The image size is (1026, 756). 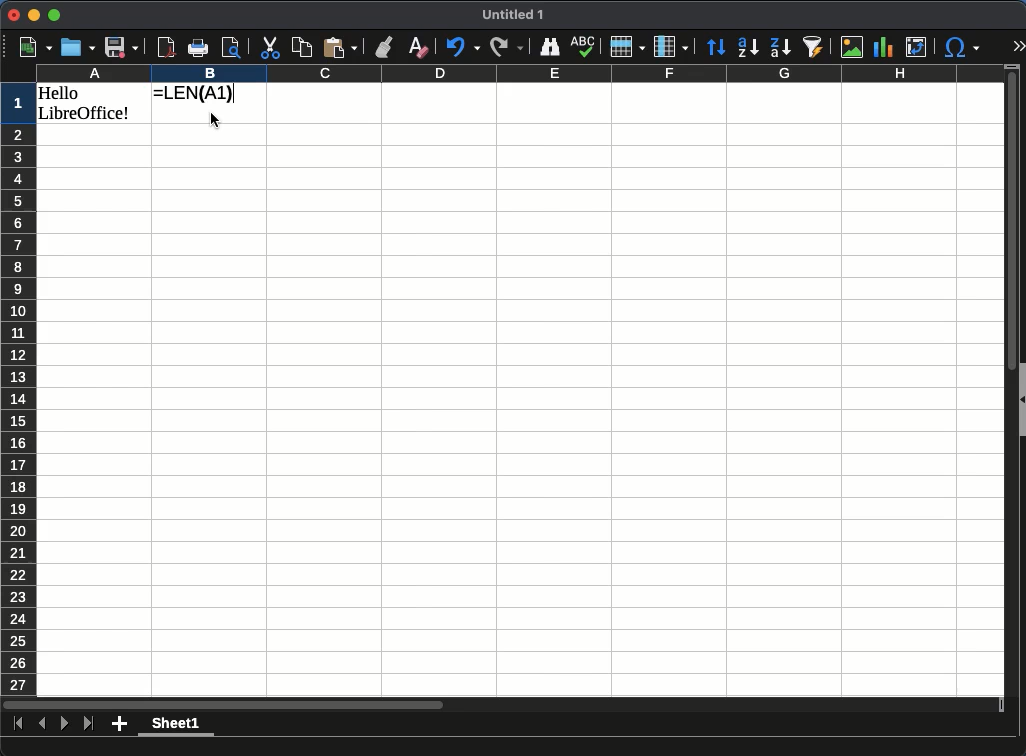 I want to click on special character, so click(x=960, y=44).